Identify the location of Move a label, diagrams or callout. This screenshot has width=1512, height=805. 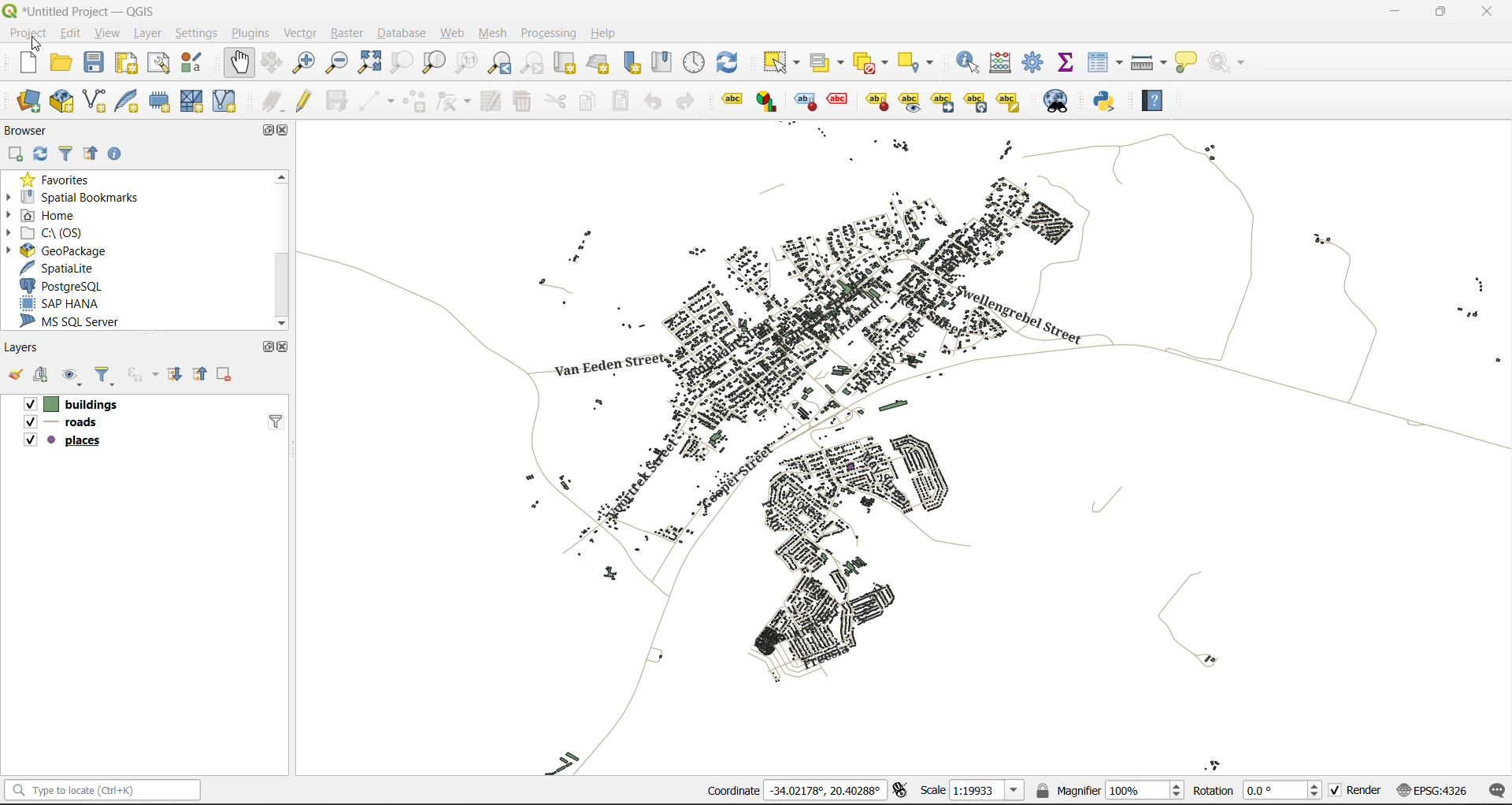
(943, 101).